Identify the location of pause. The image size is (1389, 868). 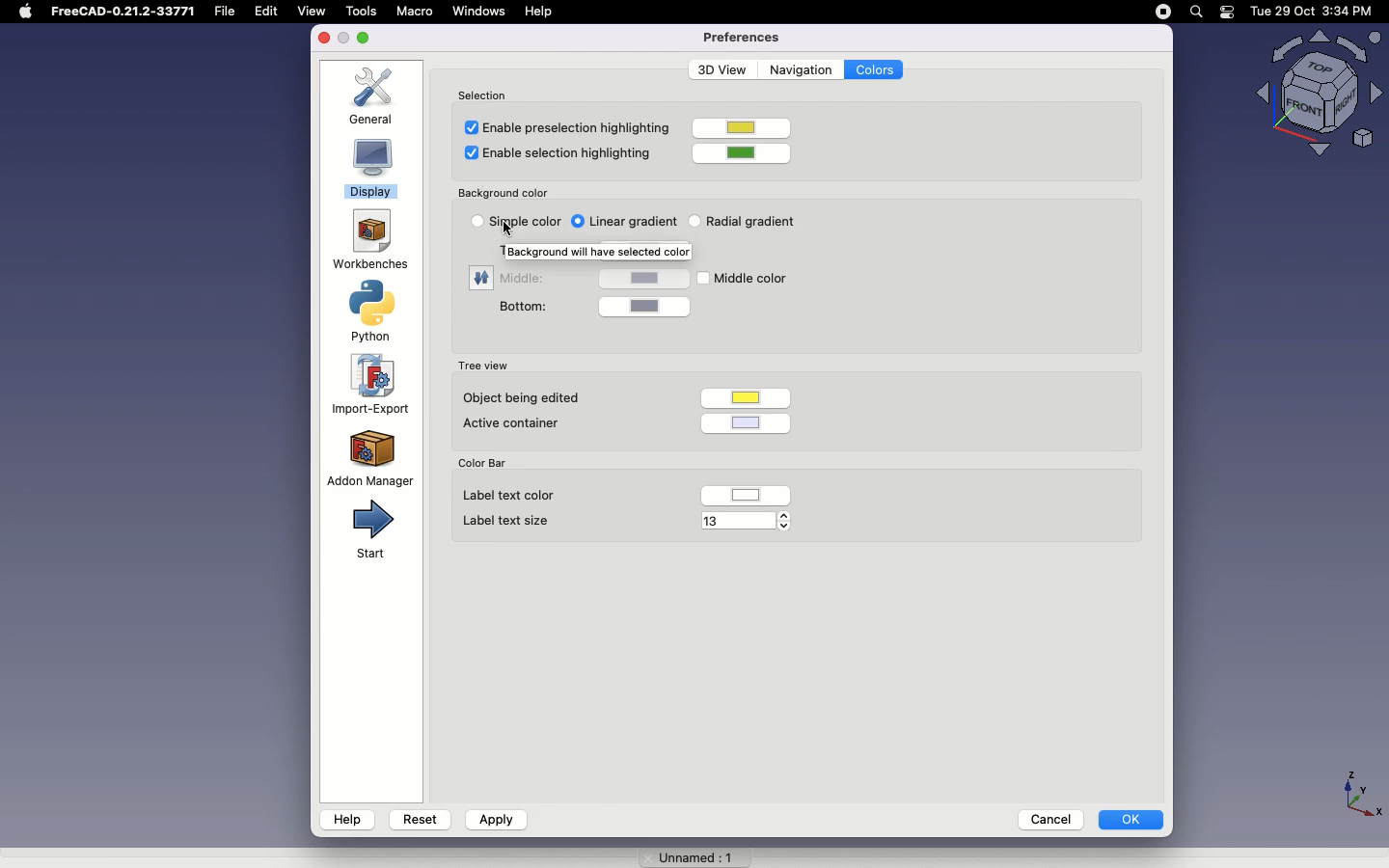
(1163, 12).